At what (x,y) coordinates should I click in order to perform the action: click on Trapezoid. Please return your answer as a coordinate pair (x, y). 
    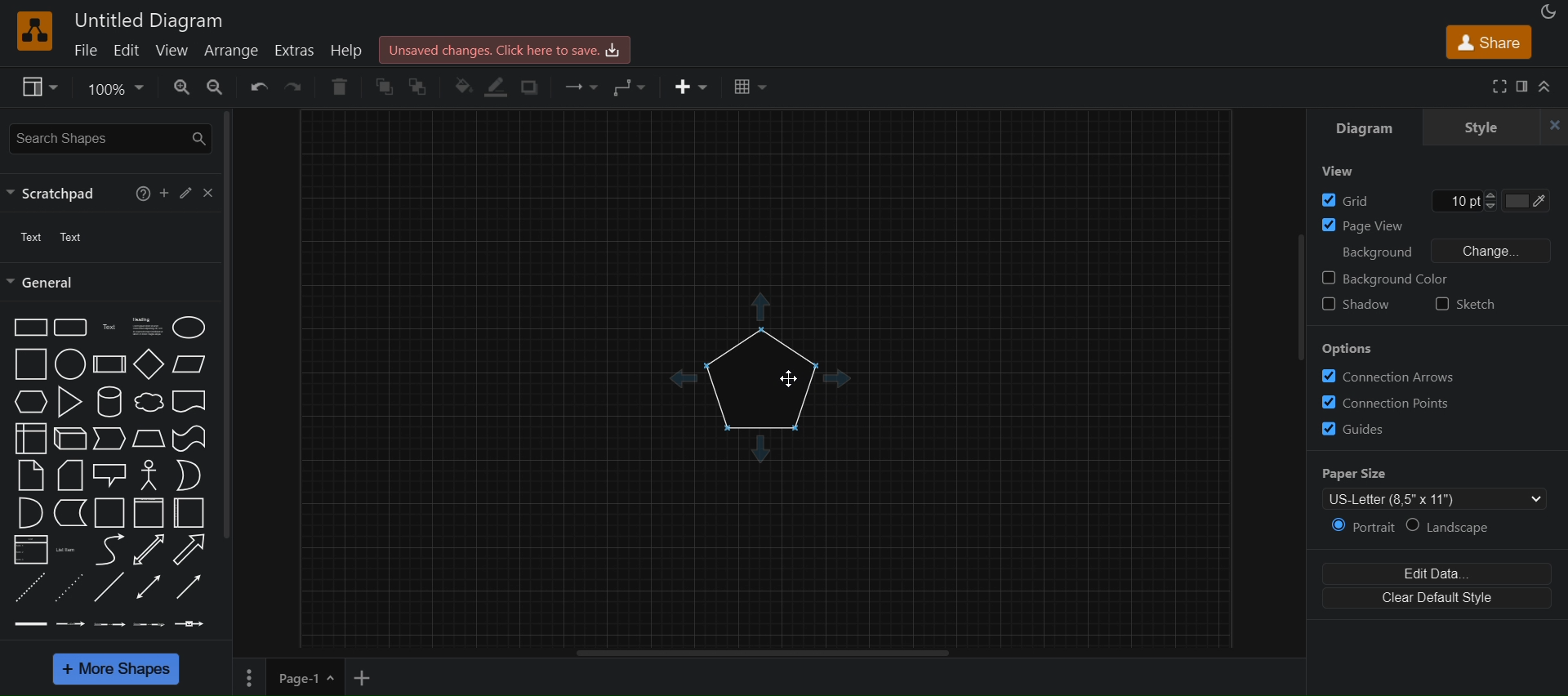
    Looking at the image, I should click on (149, 439).